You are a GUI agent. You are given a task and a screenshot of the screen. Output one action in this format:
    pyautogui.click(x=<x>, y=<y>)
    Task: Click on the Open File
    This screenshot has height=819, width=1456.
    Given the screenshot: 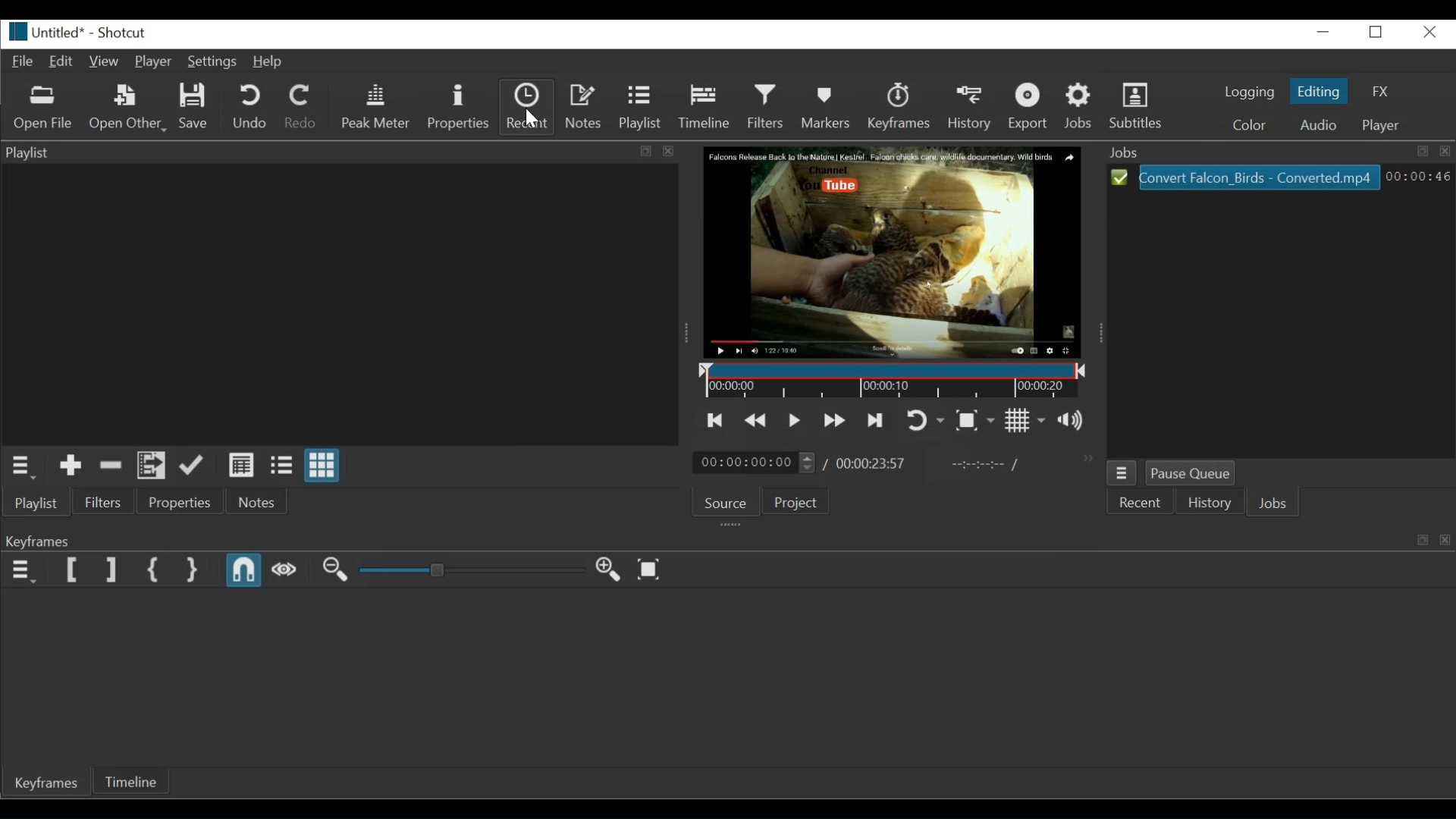 What is the action you would take?
    pyautogui.click(x=44, y=108)
    